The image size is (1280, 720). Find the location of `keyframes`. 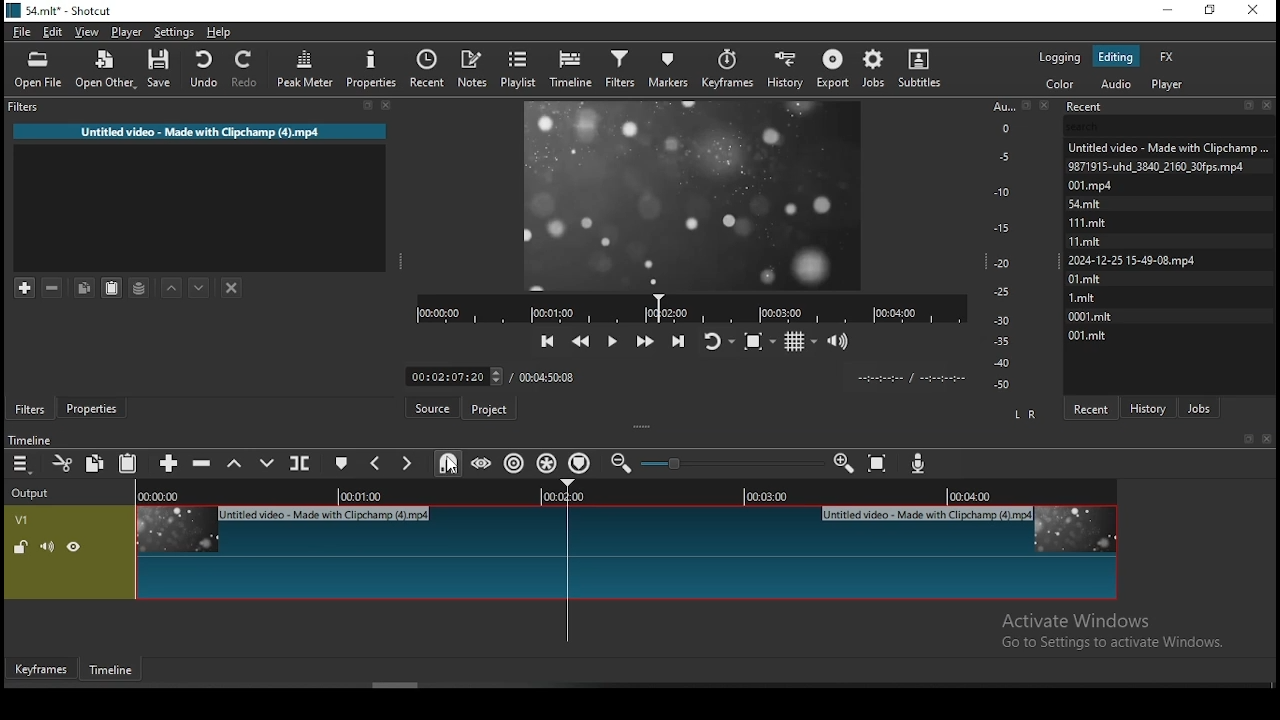

keyframes is located at coordinates (727, 68).